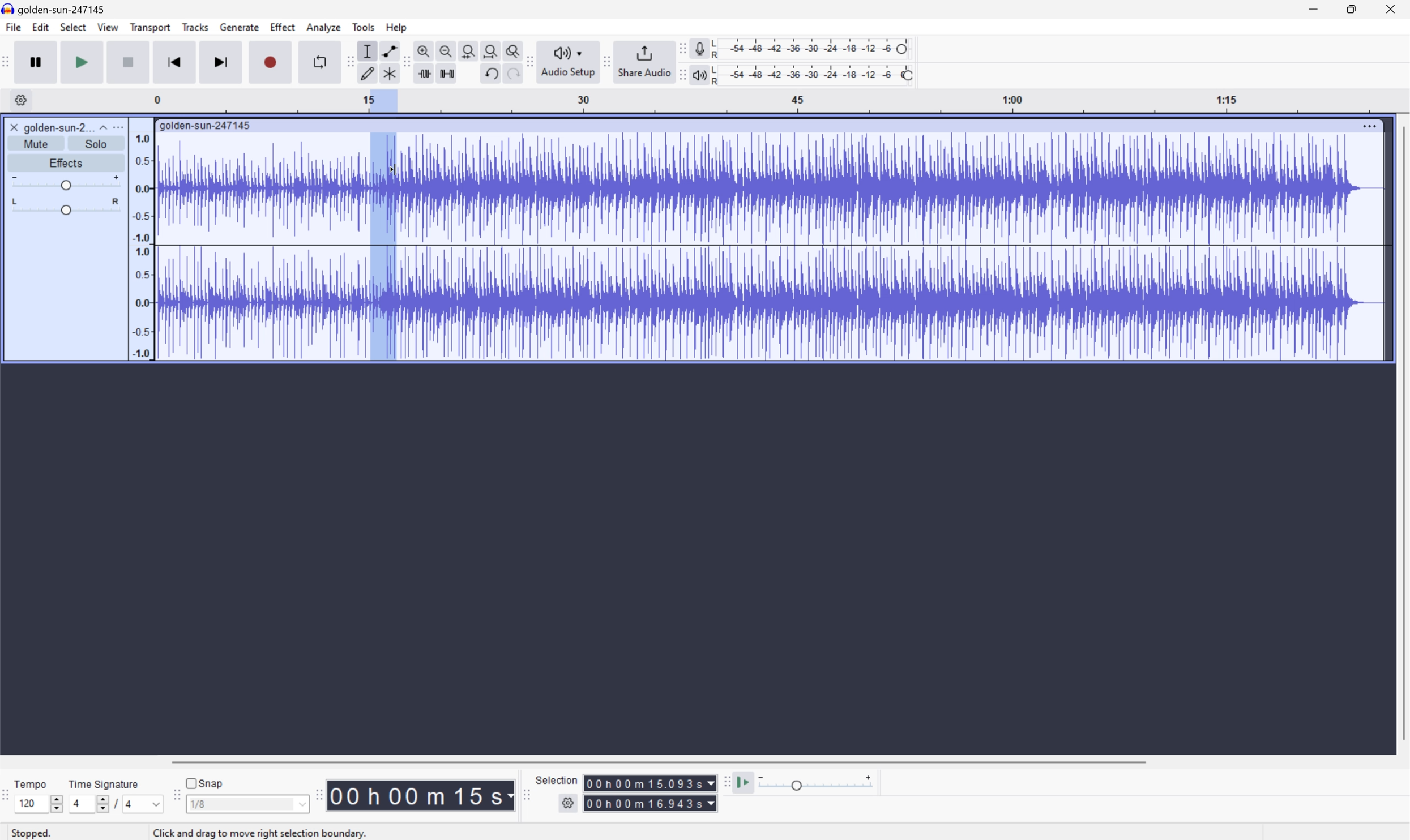 Image resolution: width=1410 pixels, height=840 pixels. I want to click on Transport, so click(151, 28).